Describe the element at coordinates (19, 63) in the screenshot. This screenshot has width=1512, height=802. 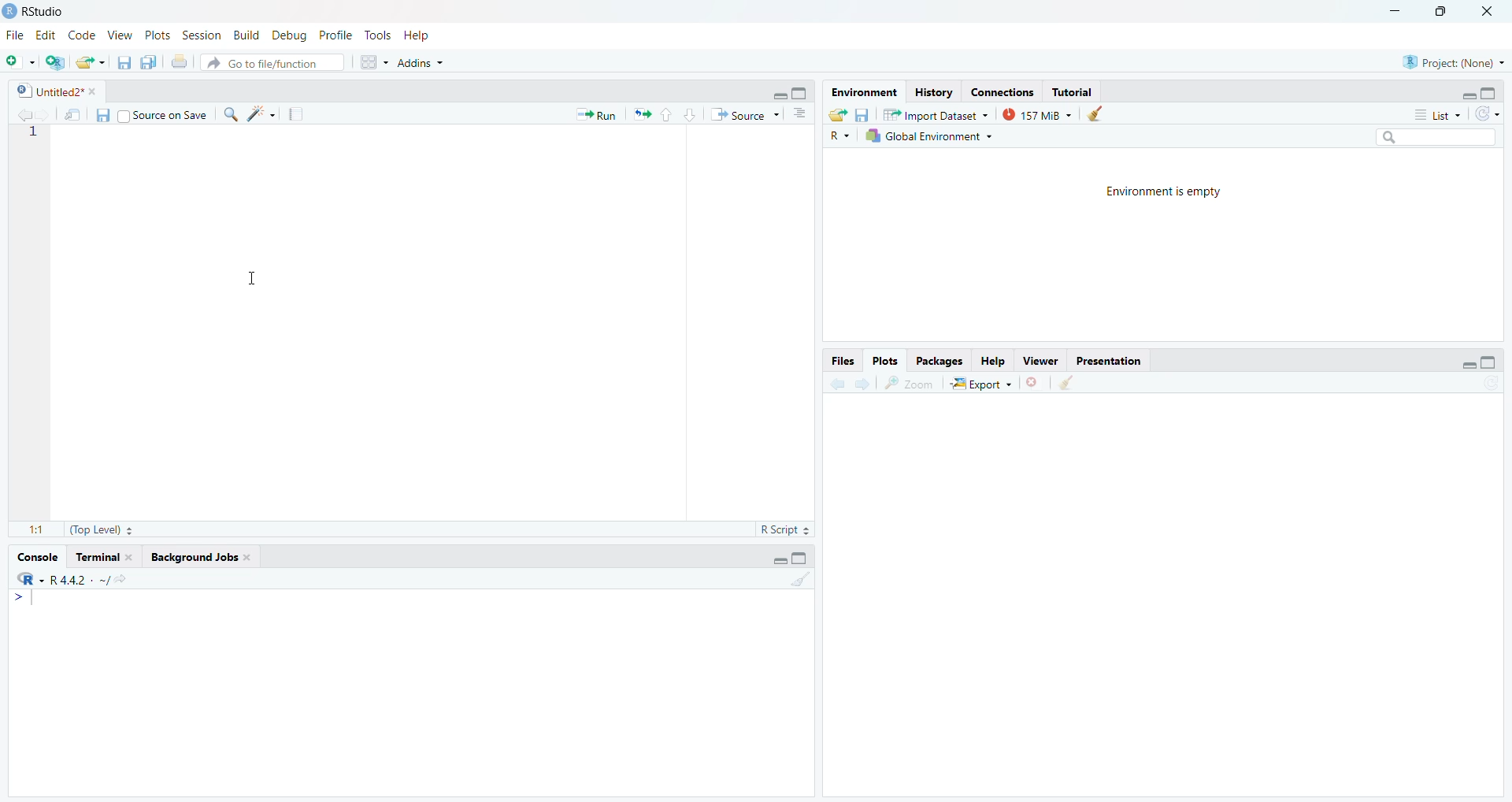
I see `new file` at that location.